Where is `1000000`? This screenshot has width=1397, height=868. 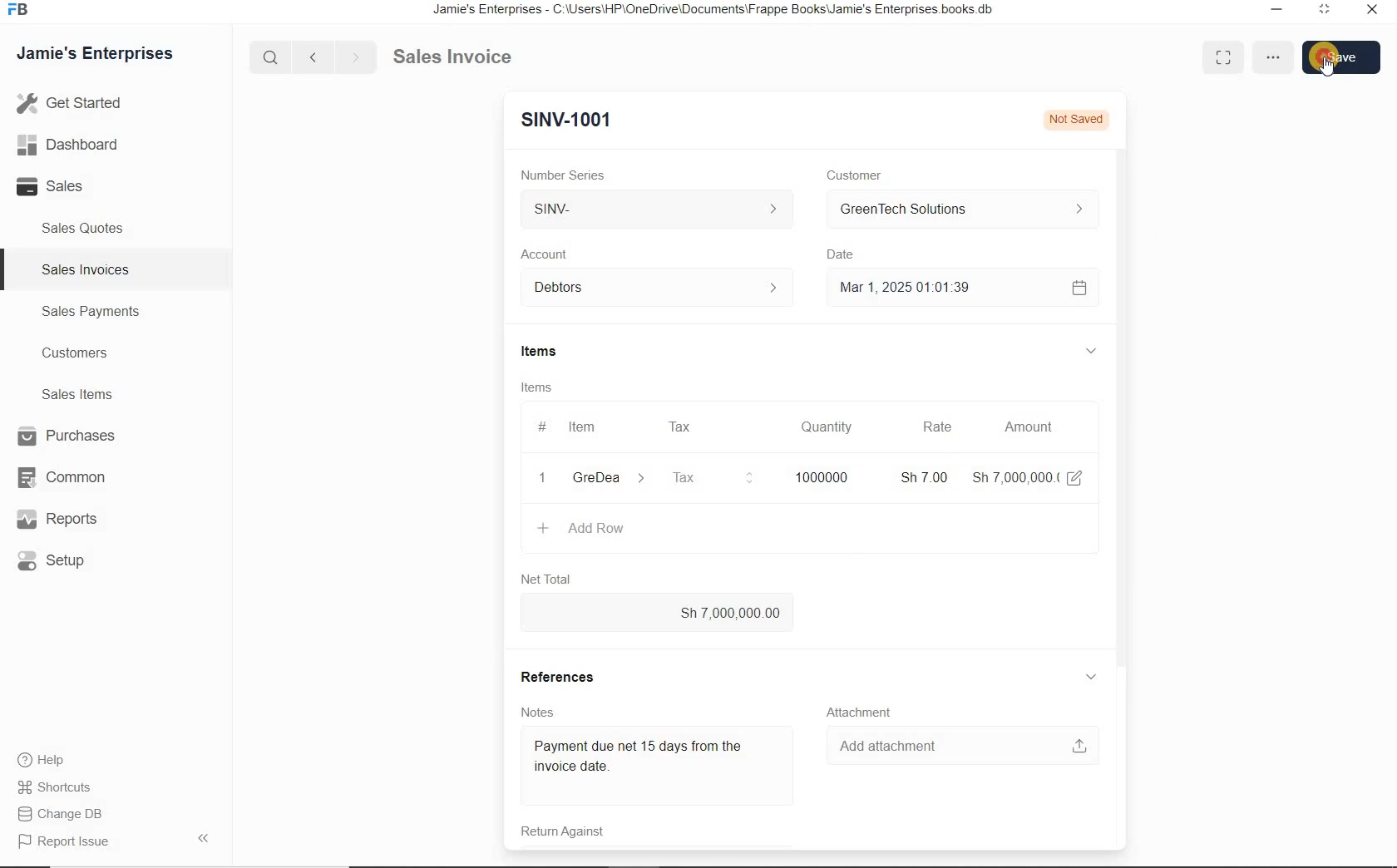
1000000 is located at coordinates (819, 476).